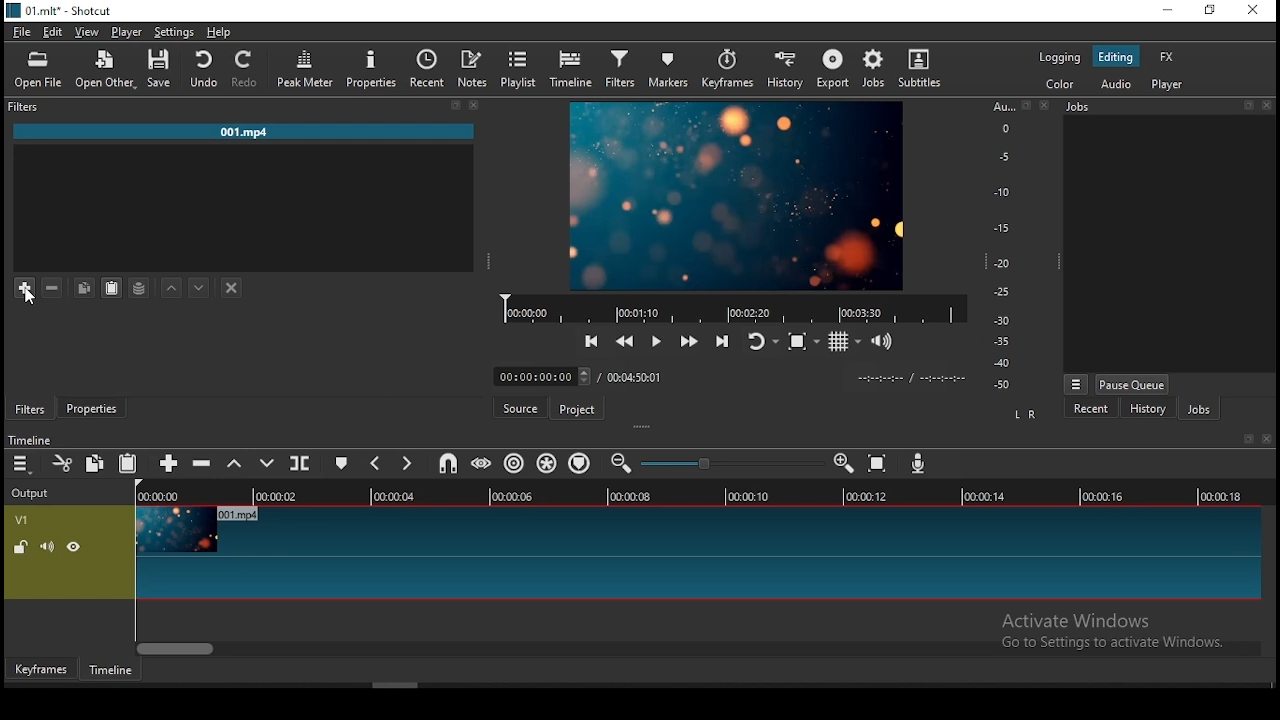 This screenshot has height=720, width=1280. Describe the element at coordinates (916, 464) in the screenshot. I see `record audio` at that location.